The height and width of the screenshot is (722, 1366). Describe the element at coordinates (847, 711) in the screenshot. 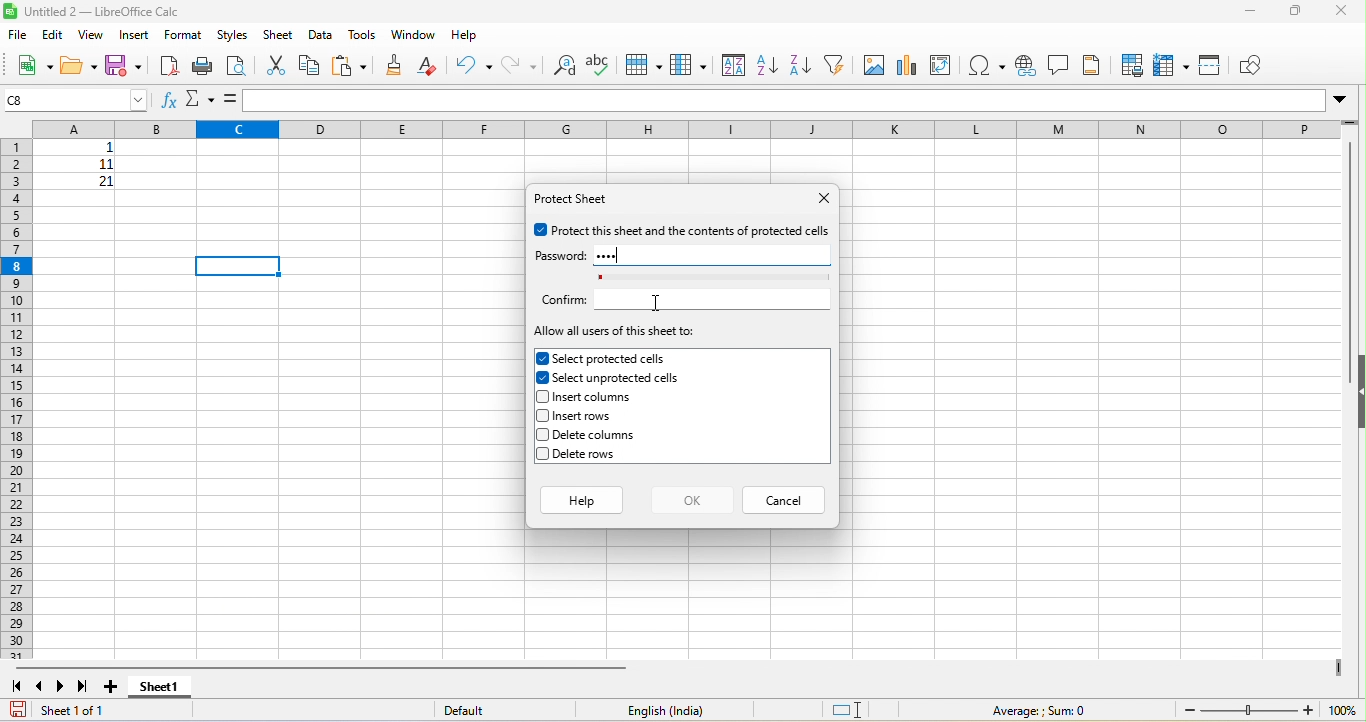

I see `standard selection` at that location.